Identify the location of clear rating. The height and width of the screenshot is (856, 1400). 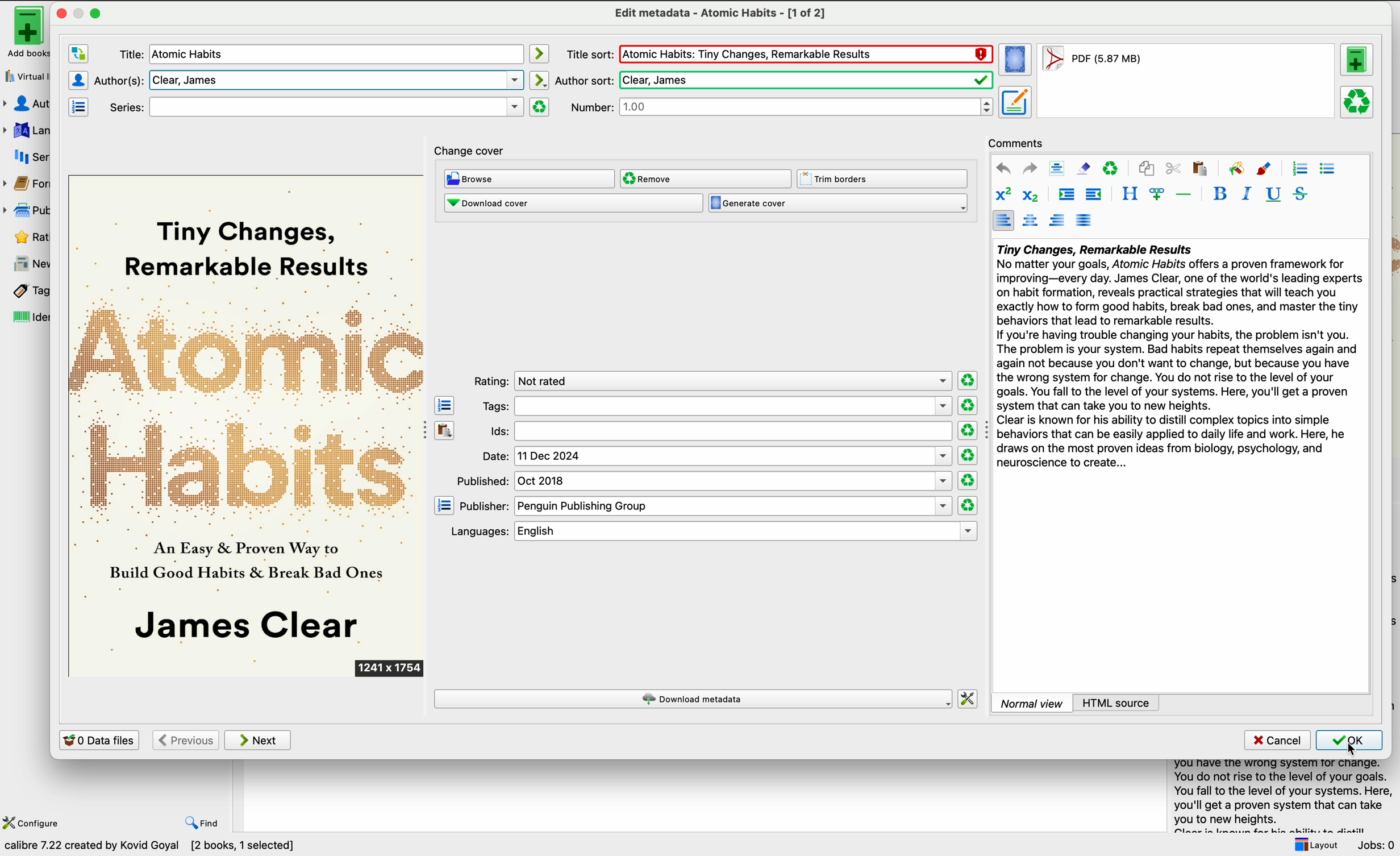
(967, 379).